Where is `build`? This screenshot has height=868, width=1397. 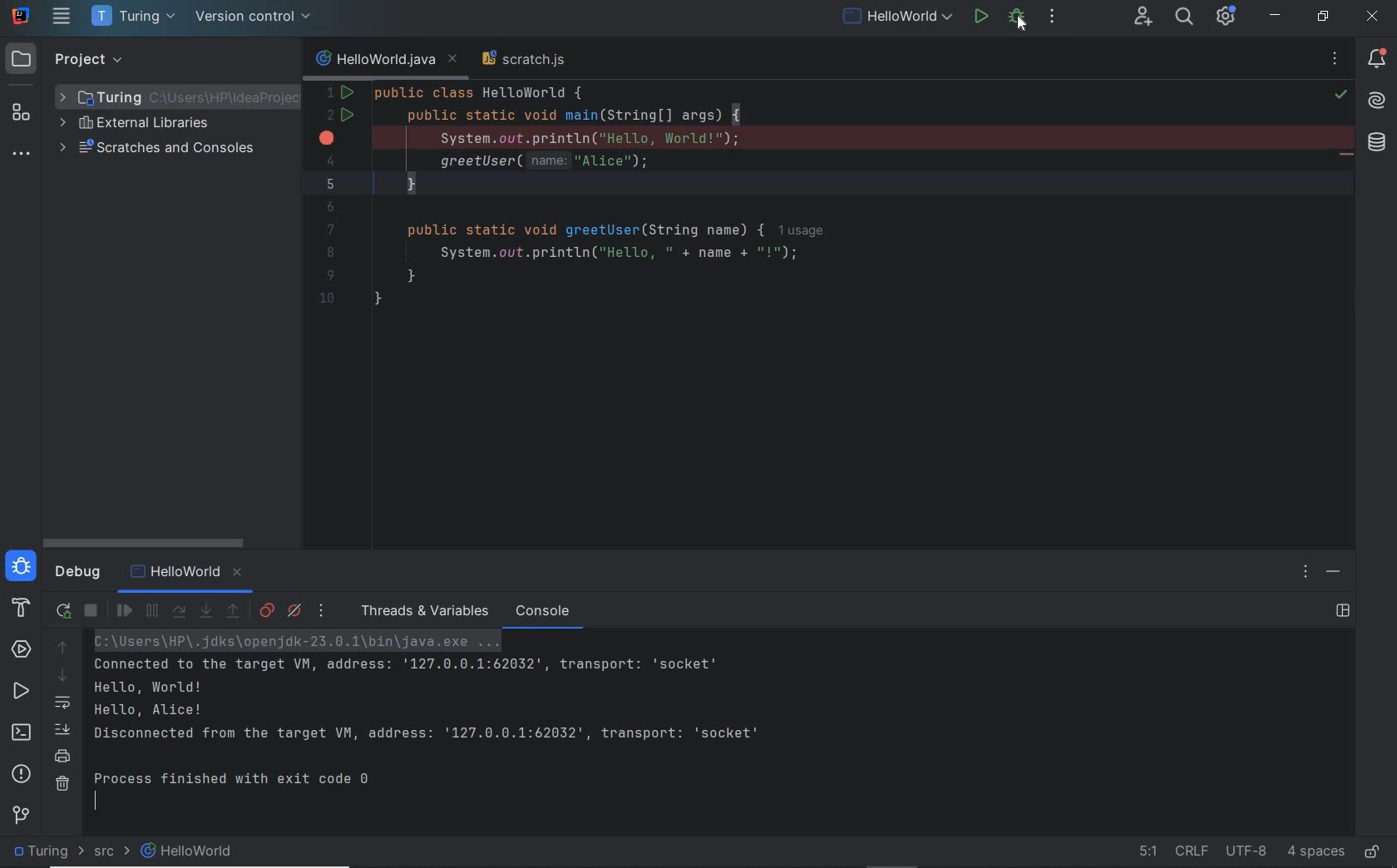 build is located at coordinates (17, 610).